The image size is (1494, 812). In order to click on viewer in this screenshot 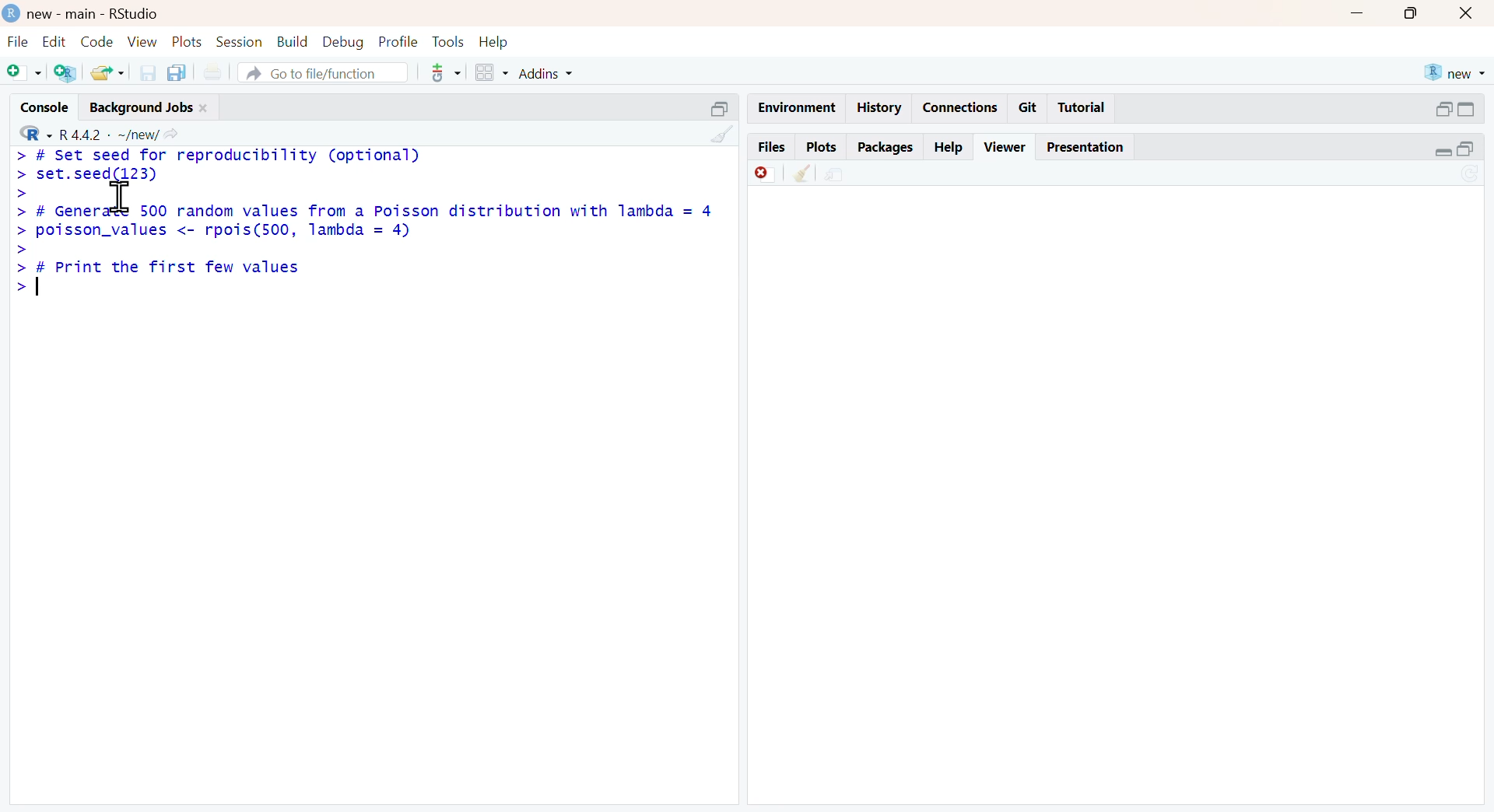, I will do `click(1007, 147)`.